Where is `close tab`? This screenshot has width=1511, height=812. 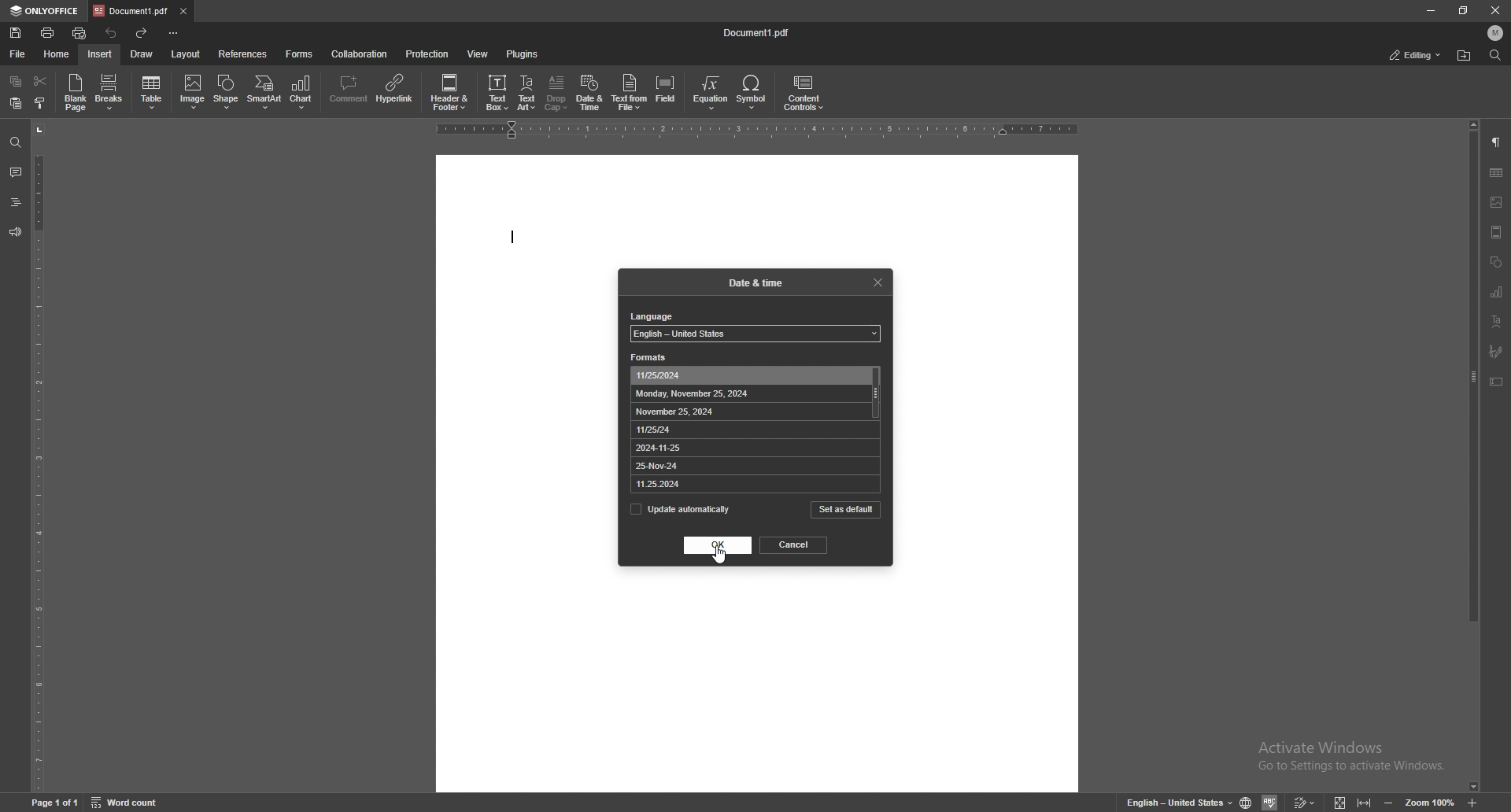 close tab is located at coordinates (183, 11).